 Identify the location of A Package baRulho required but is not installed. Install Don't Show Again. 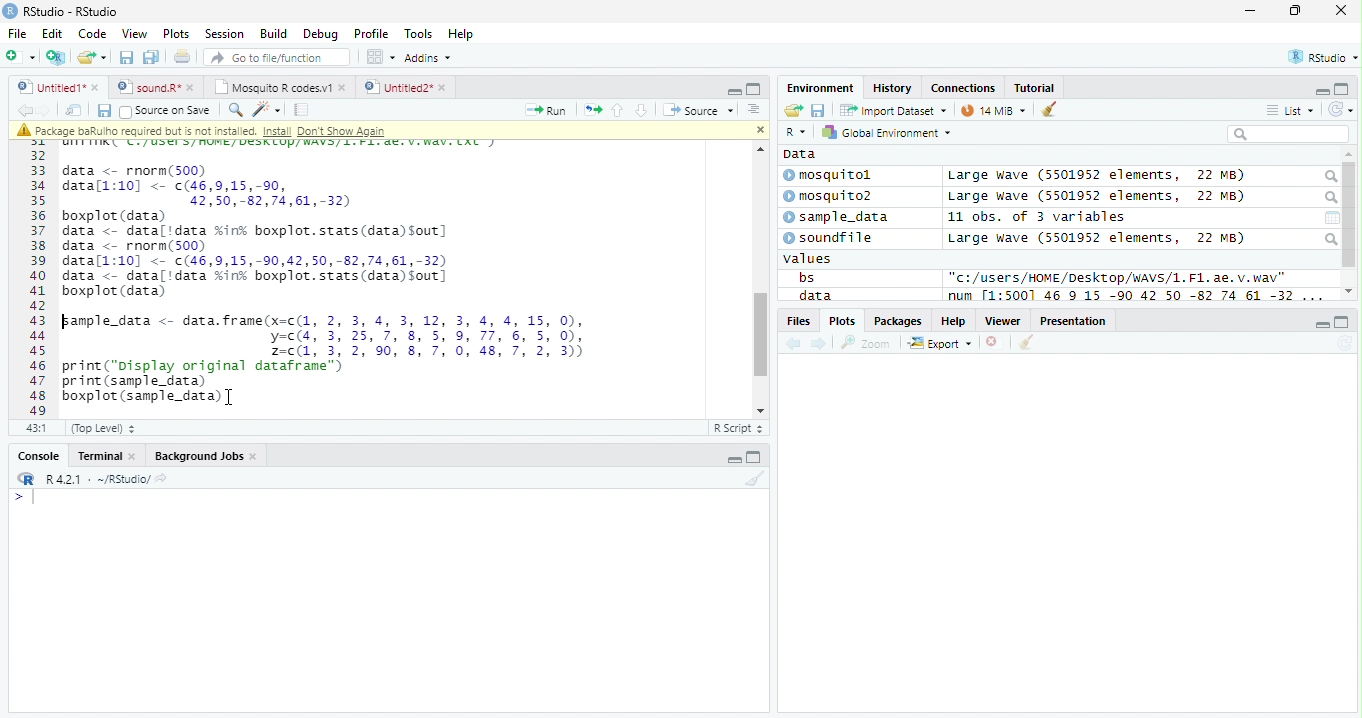
(242, 130).